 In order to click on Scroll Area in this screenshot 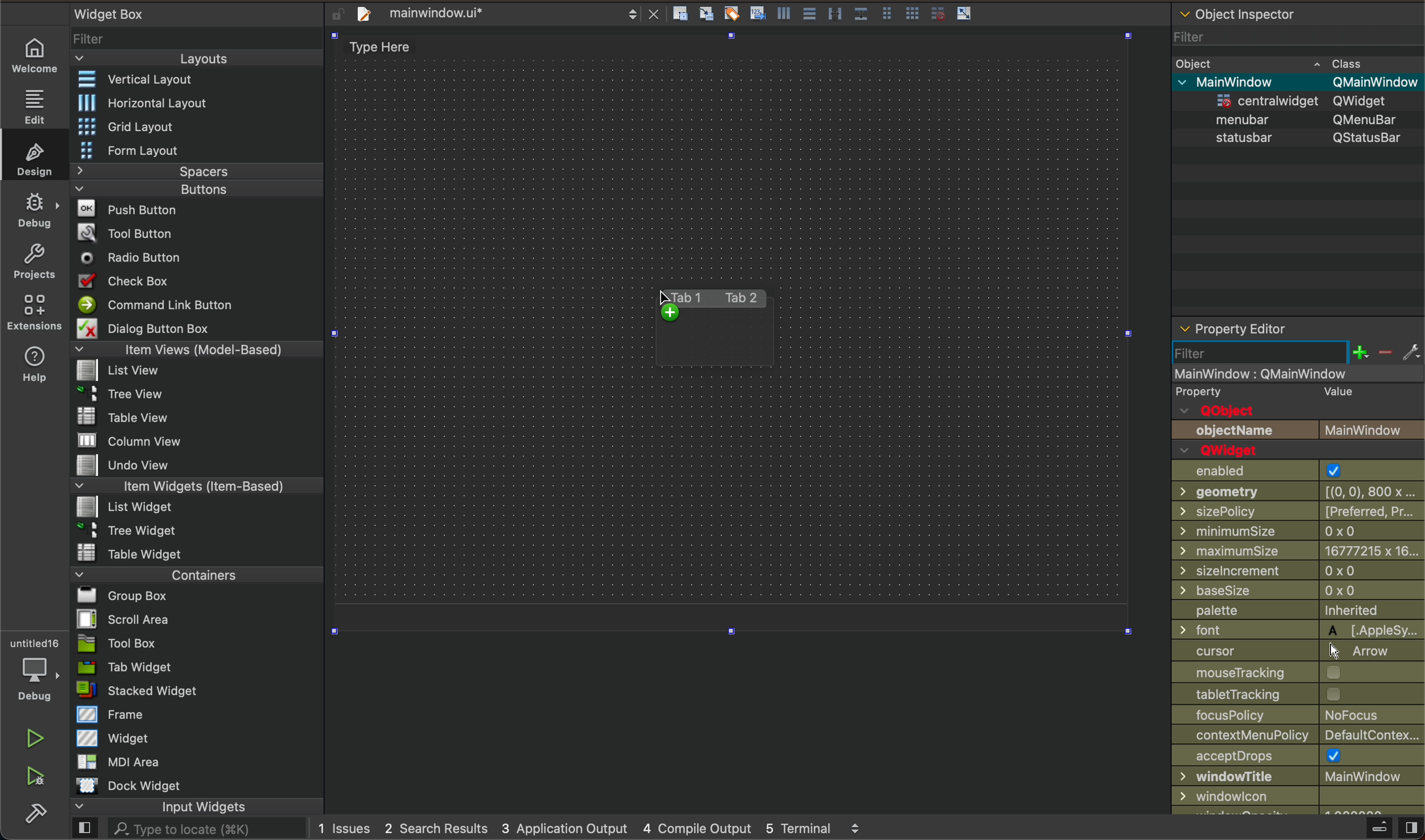, I will do `click(127, 618)`.